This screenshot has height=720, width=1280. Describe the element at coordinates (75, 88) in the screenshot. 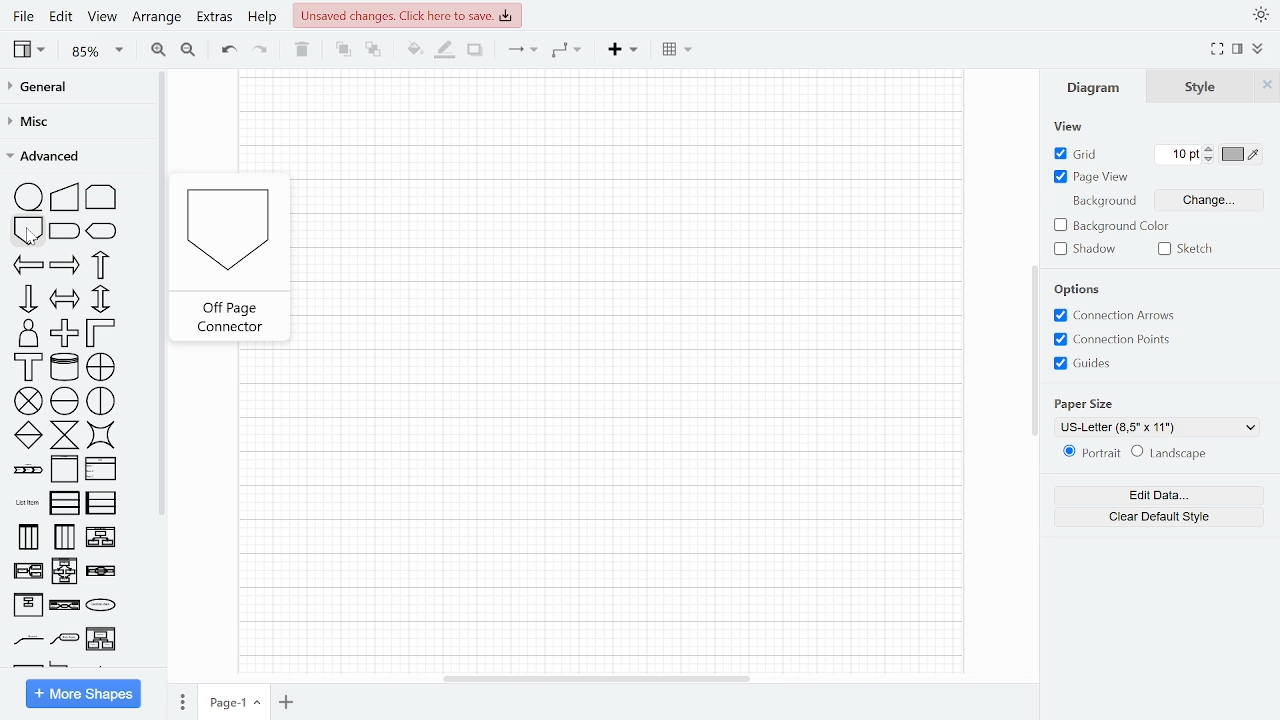

I see `General` at that location.